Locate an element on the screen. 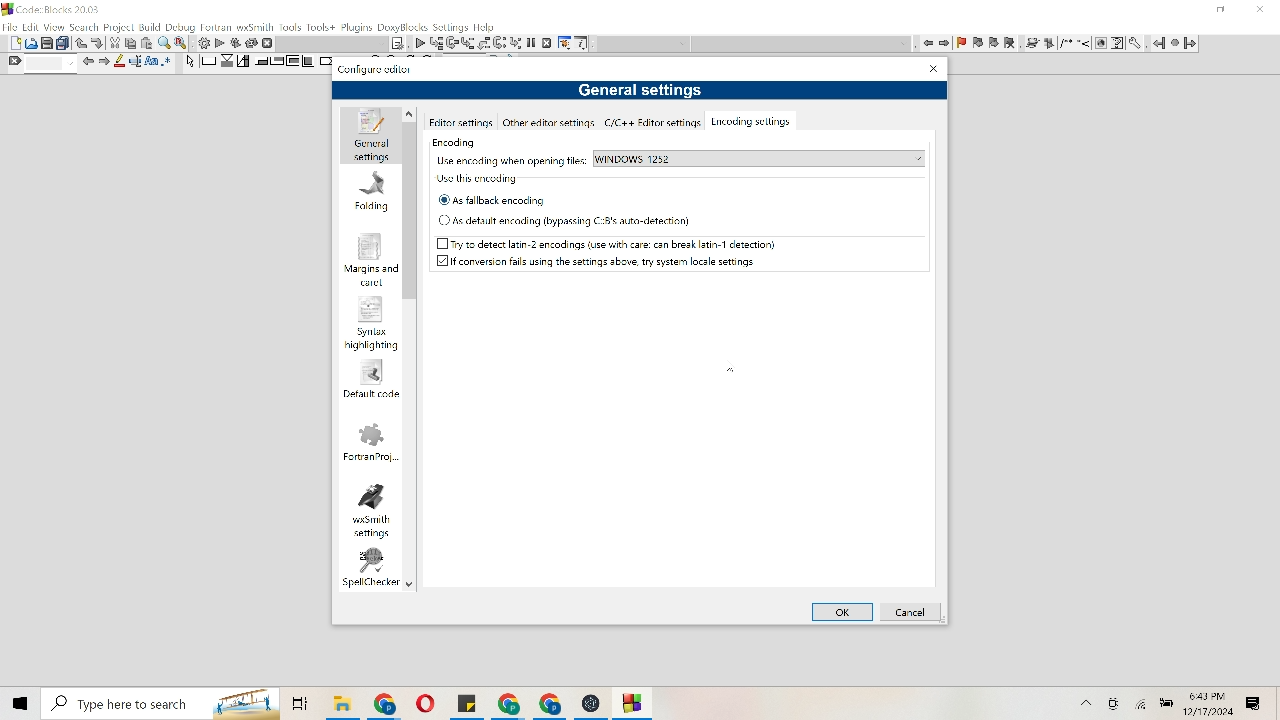  Cancel is located at coordinates (268, 43).